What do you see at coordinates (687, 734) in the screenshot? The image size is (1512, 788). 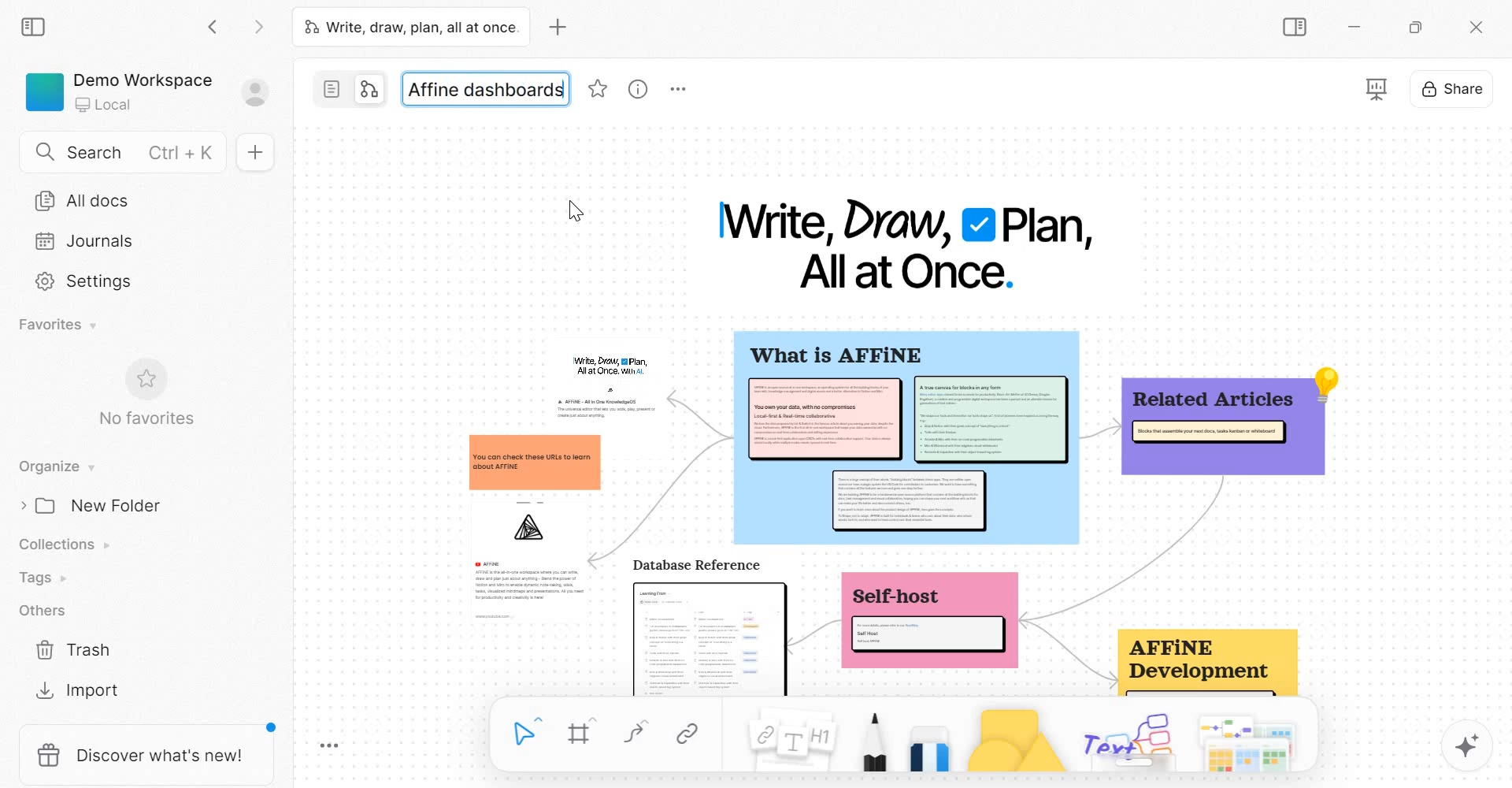 I see `Link` at bounding box center [687, 734].